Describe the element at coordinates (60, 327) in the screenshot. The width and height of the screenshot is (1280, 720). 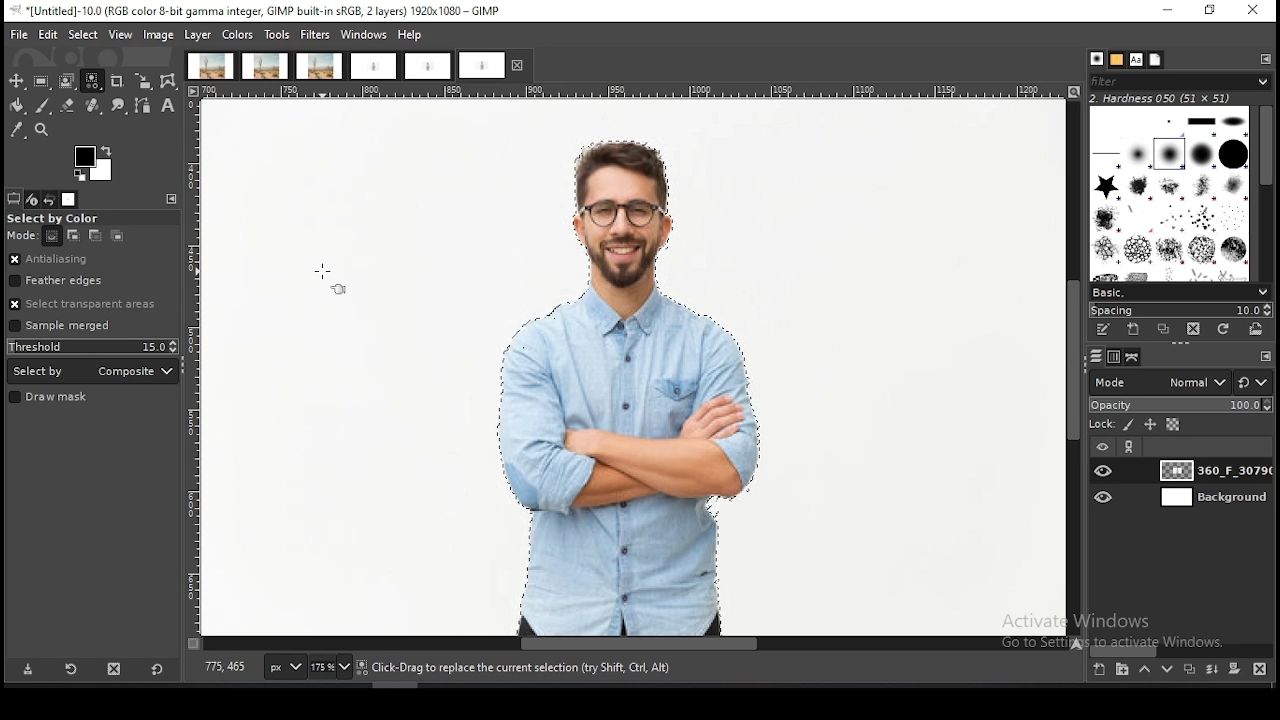
I see `sample merged` at that location.